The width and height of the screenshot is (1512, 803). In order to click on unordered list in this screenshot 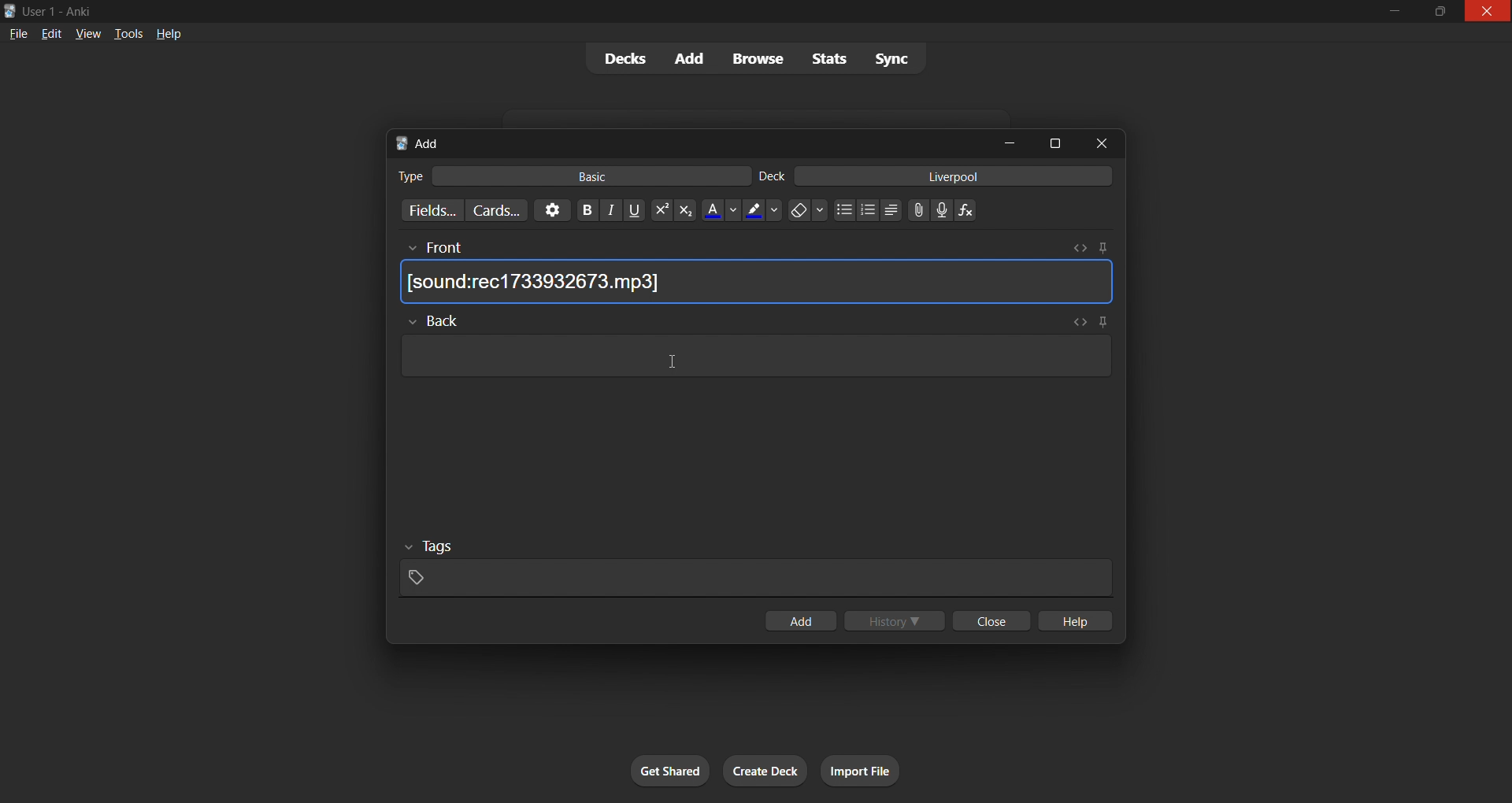, I will do `click(841, 209)`.